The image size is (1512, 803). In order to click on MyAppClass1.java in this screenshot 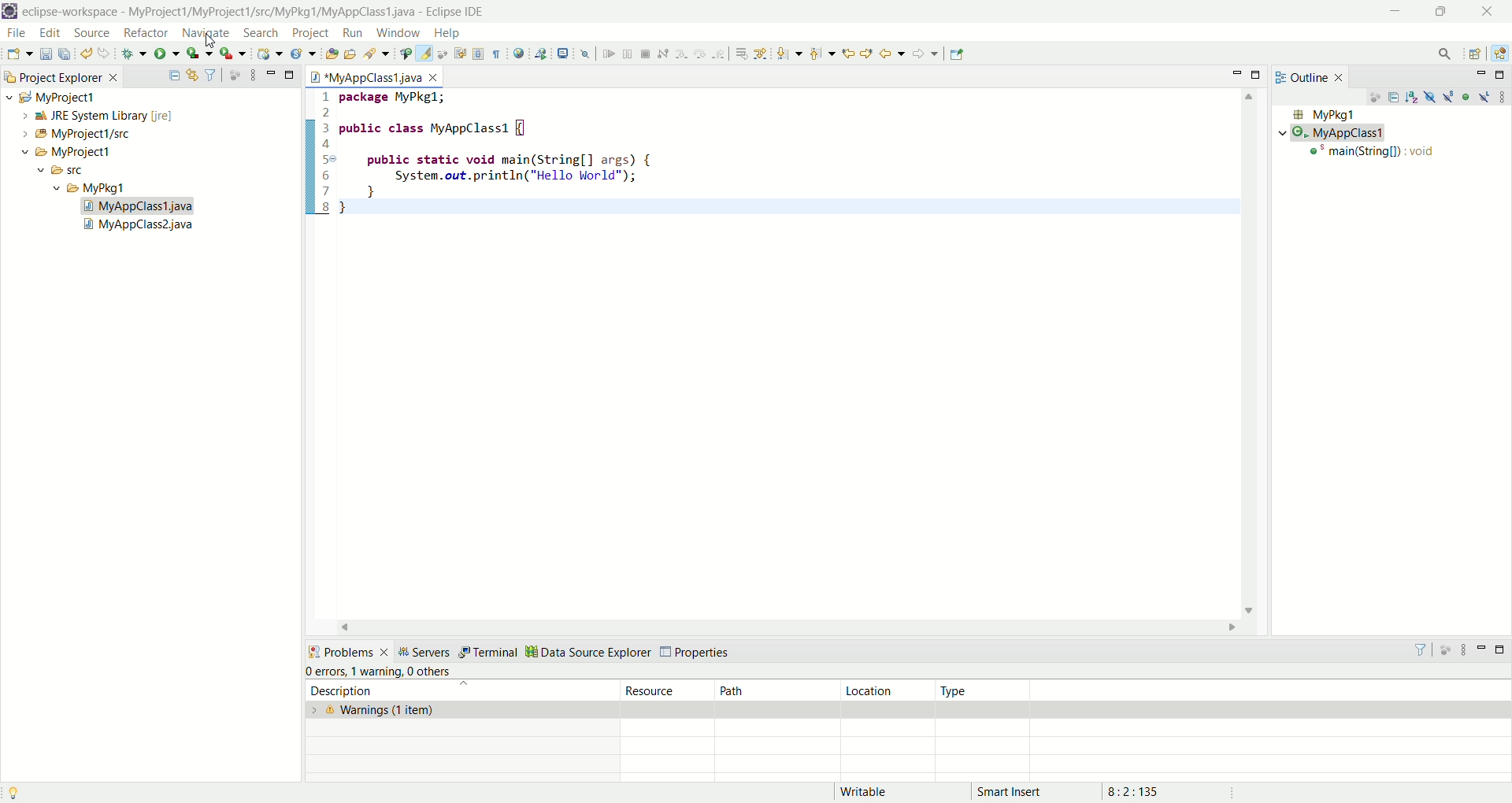, I will do `click(373, 77)`.